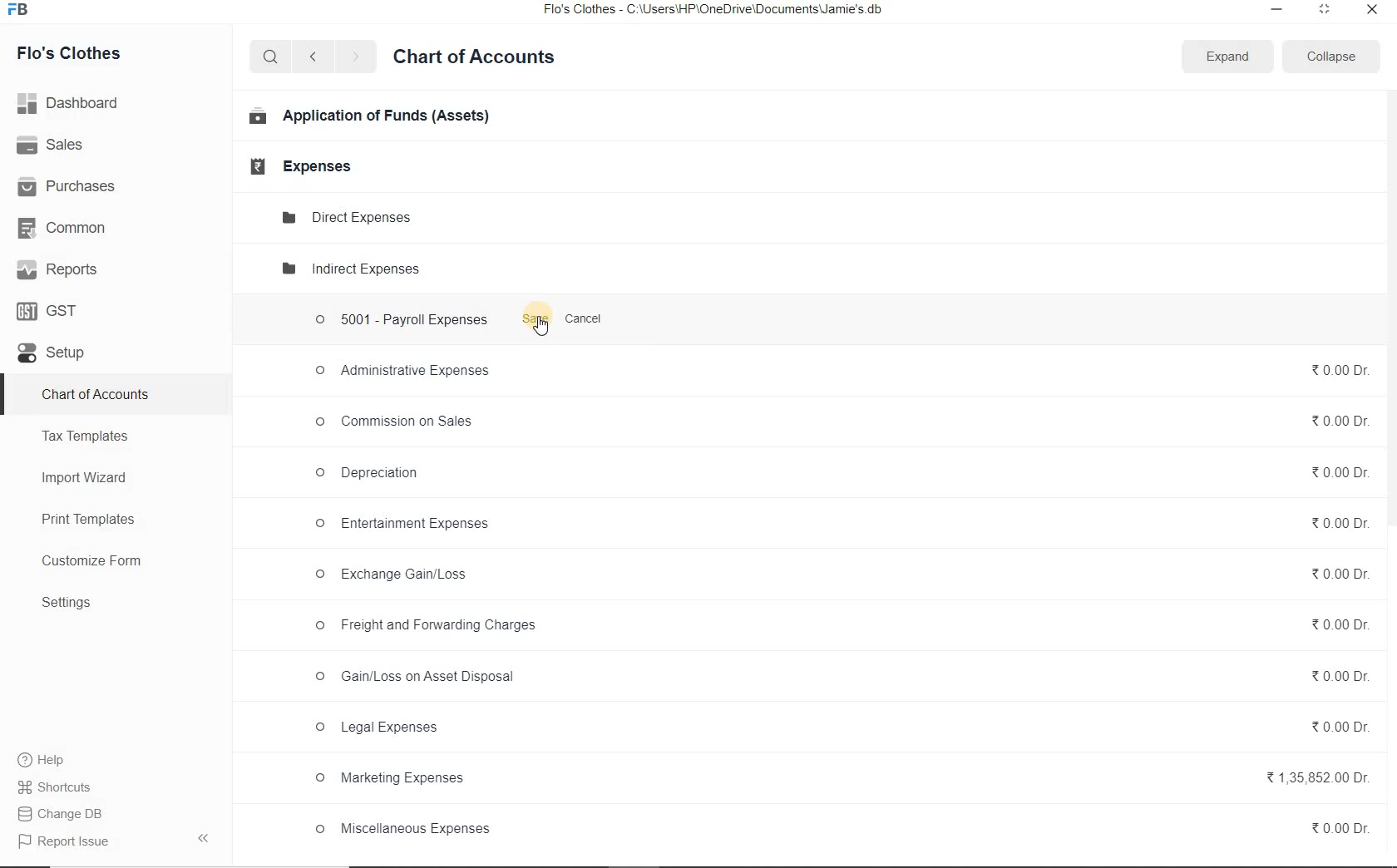 This screenshot has width=1397, height=868. Describe the element at coordinates (295, 166) in the screenshot. I see `Expenses` at that location.